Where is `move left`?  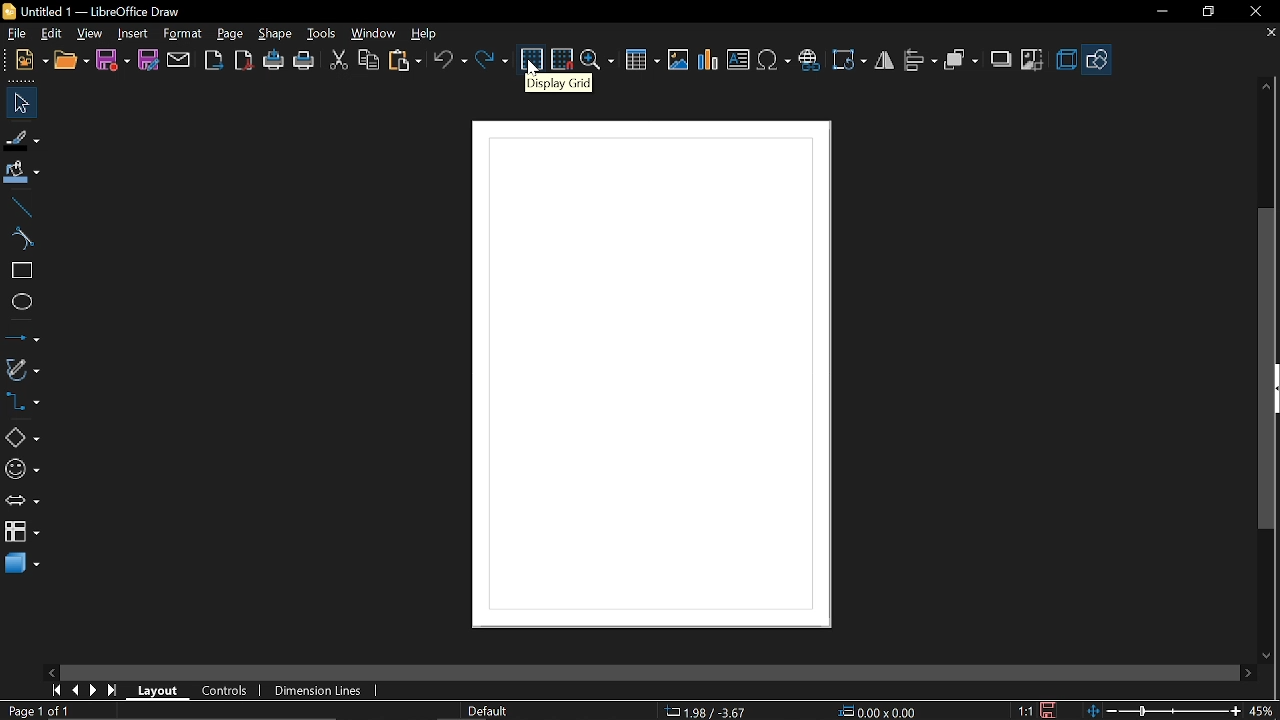
move left is located at coordinates (51, 672).